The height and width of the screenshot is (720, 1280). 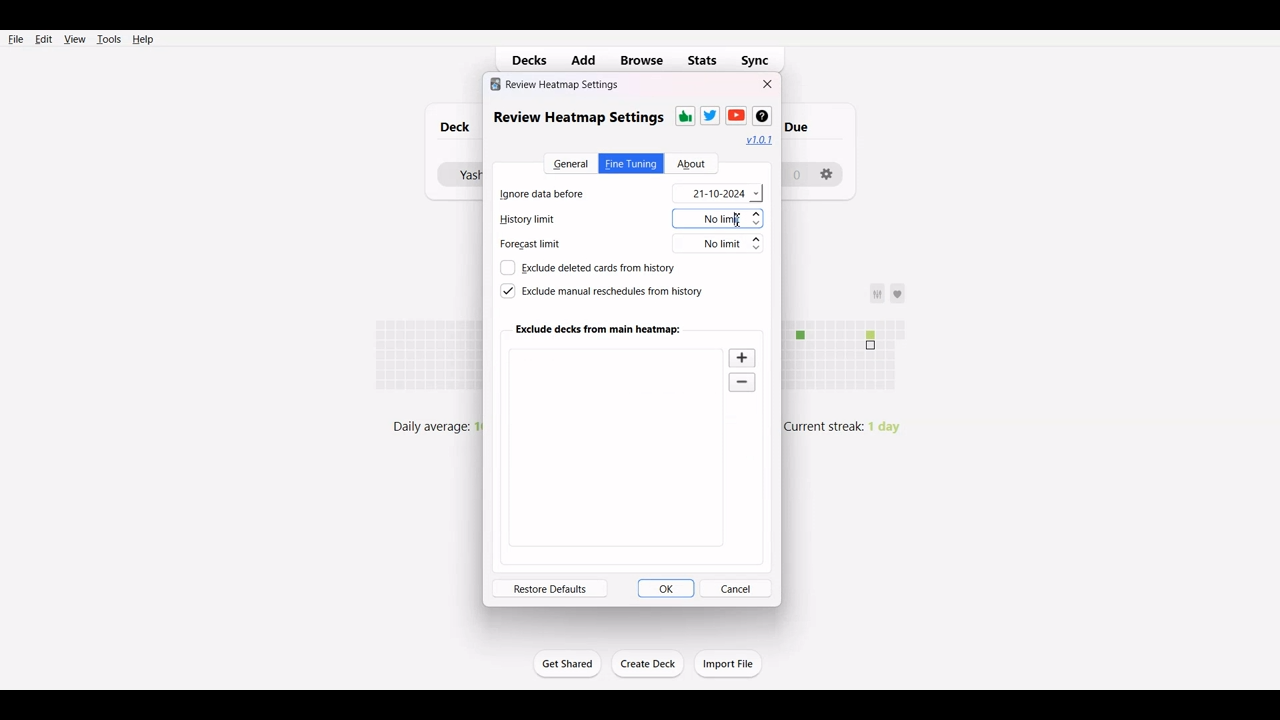 What do you see at coordinates (525, 60) in the screenshot?
I see `Decks` at bounding box center [525, 60].